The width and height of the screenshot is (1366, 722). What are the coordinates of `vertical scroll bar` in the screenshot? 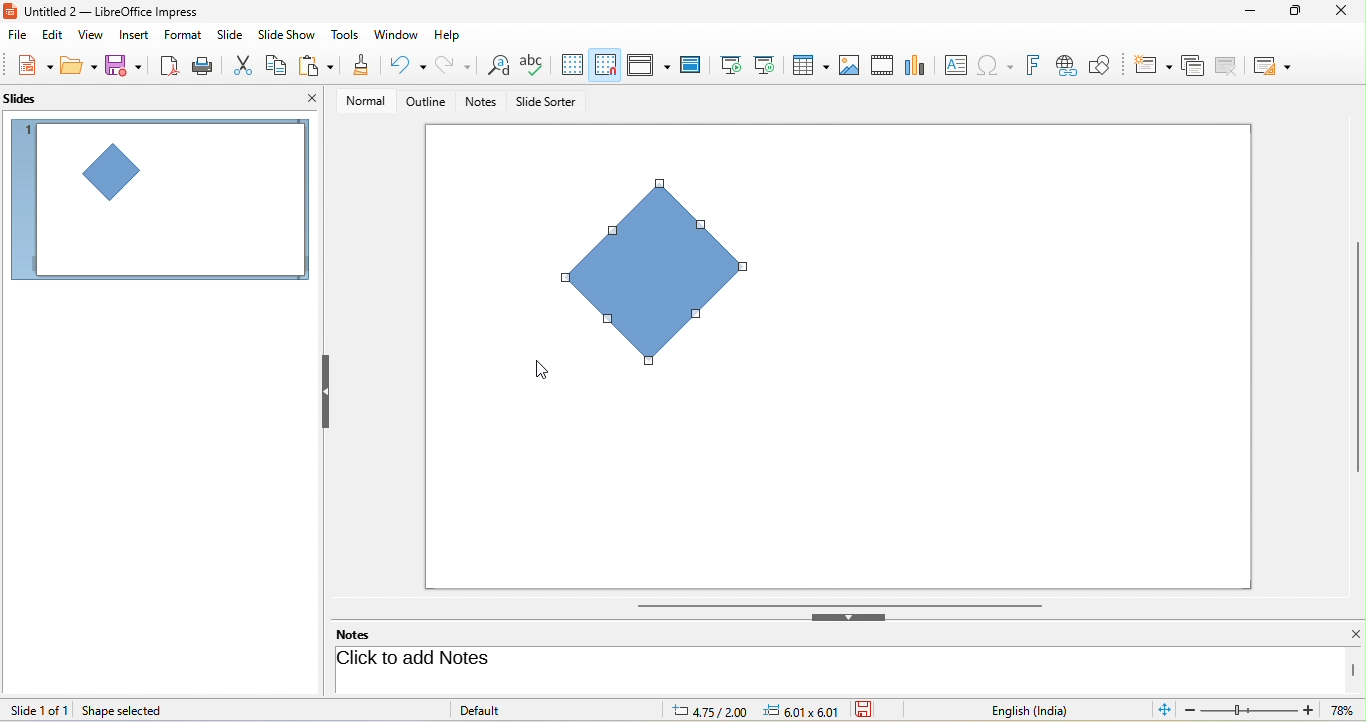 It's located at (1354, 670).